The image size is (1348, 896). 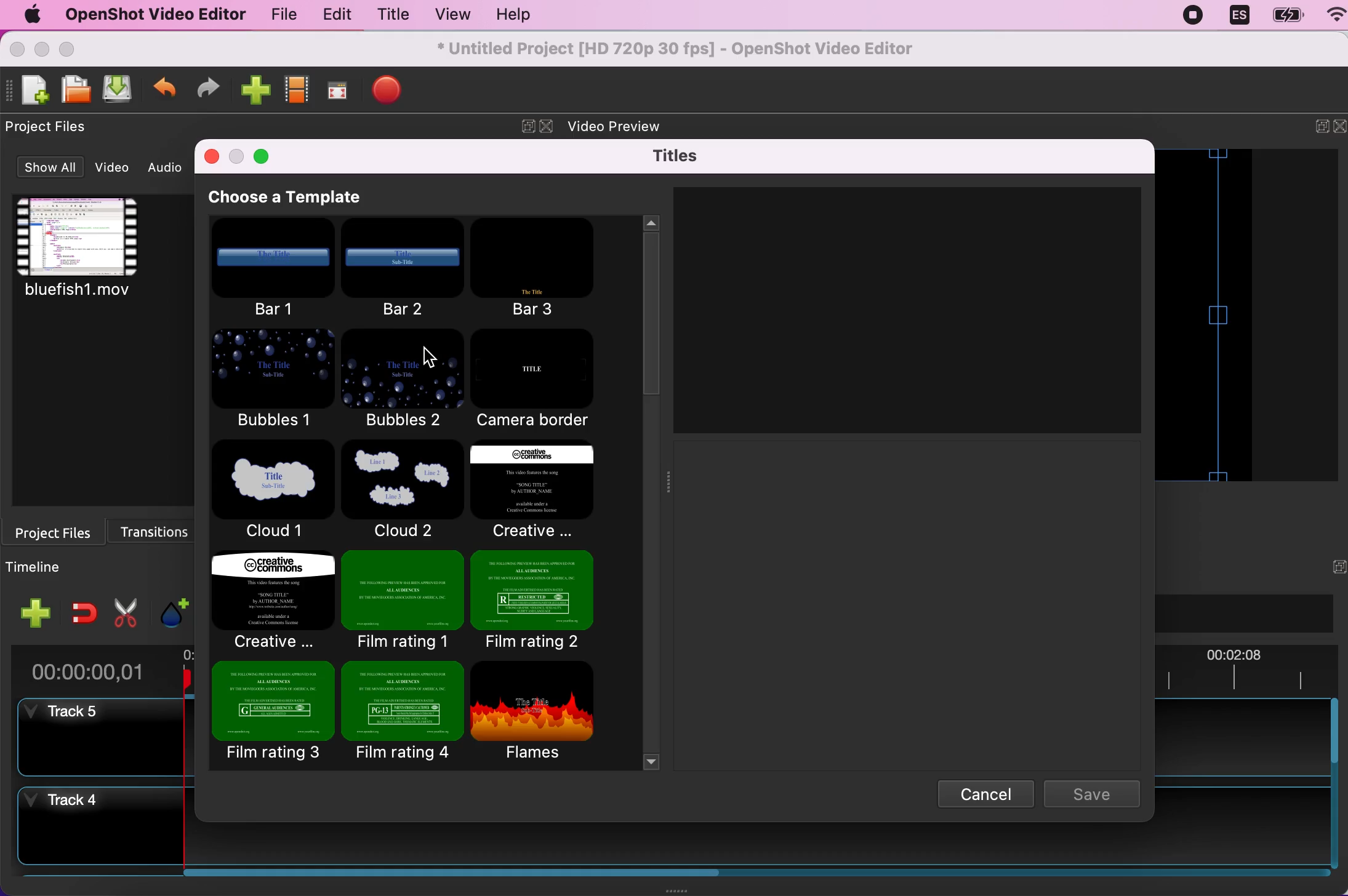 I want to click on close, so click(x=548, y=127).